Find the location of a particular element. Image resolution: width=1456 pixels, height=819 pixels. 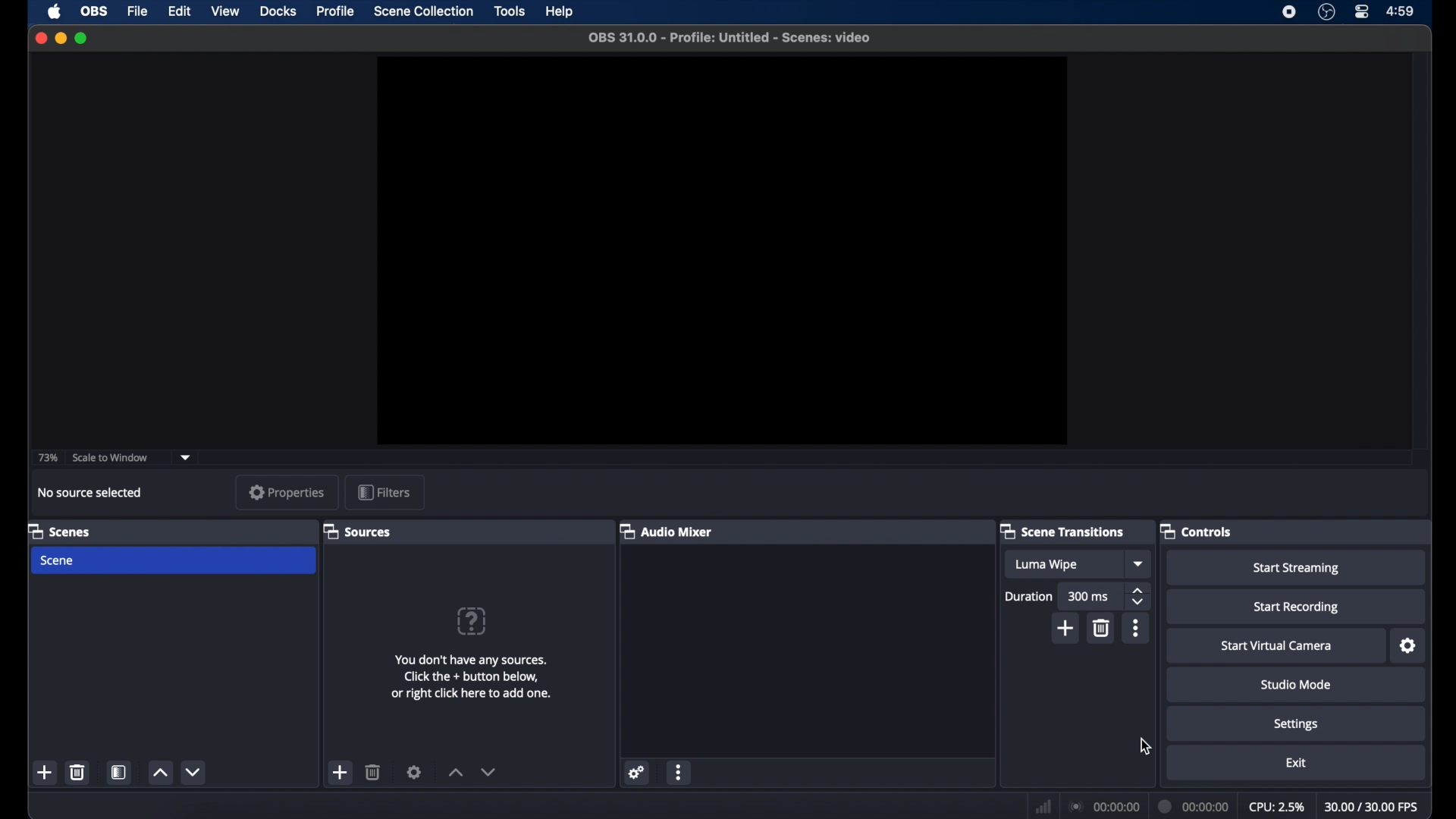

dropdown is located at coordinates (1139, 563).